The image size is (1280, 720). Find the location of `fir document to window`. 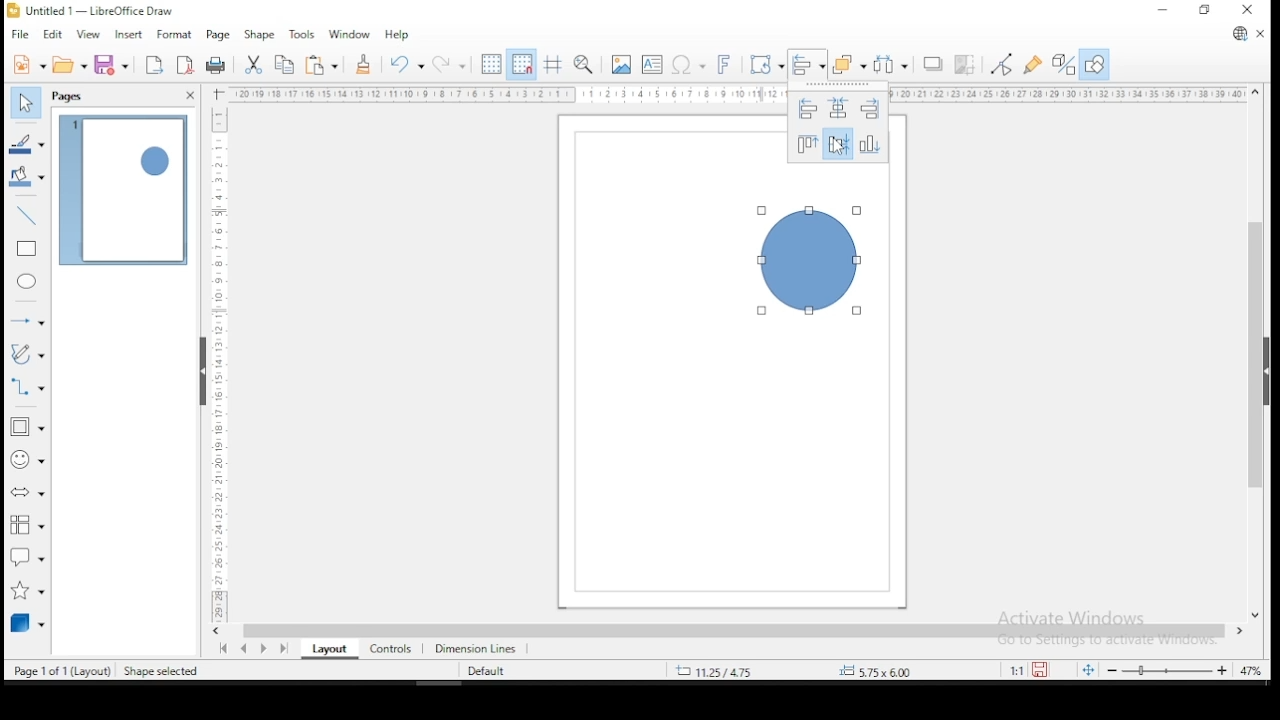

fir document to window is located at coordinates (1085, 669).